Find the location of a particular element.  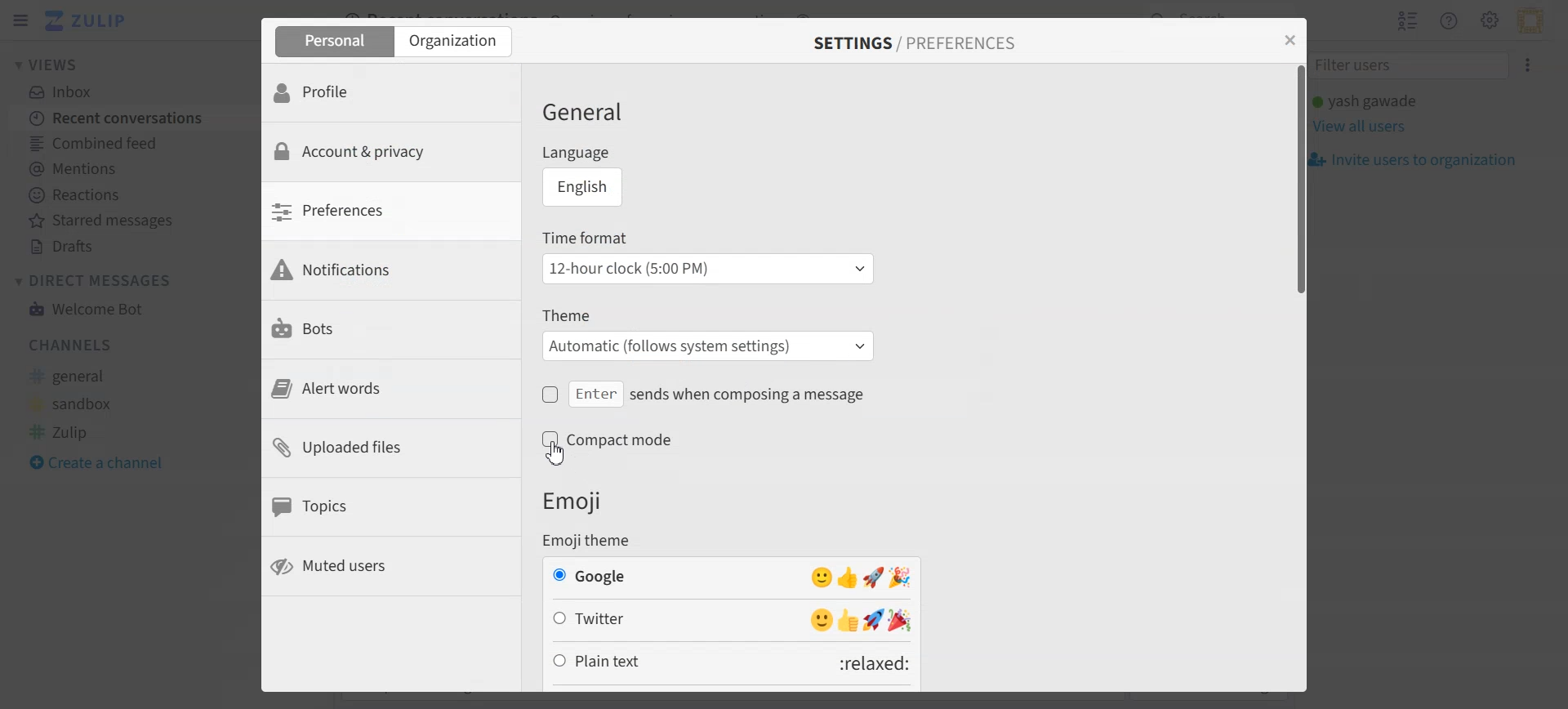

Settings / Preferences is located at coordinates (915, 43).